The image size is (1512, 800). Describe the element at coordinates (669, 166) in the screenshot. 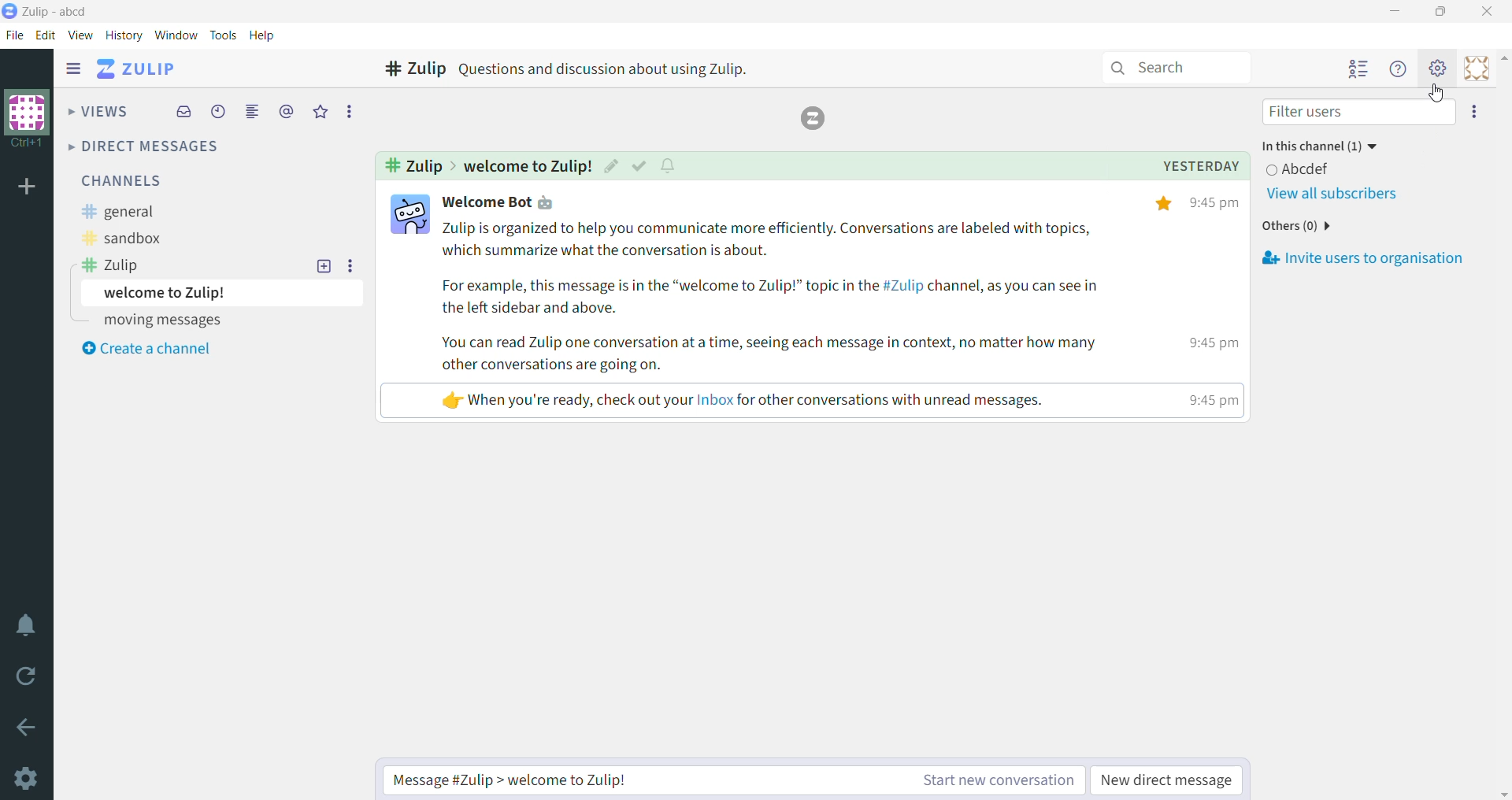

I see `Configure topic notifications` at that location.